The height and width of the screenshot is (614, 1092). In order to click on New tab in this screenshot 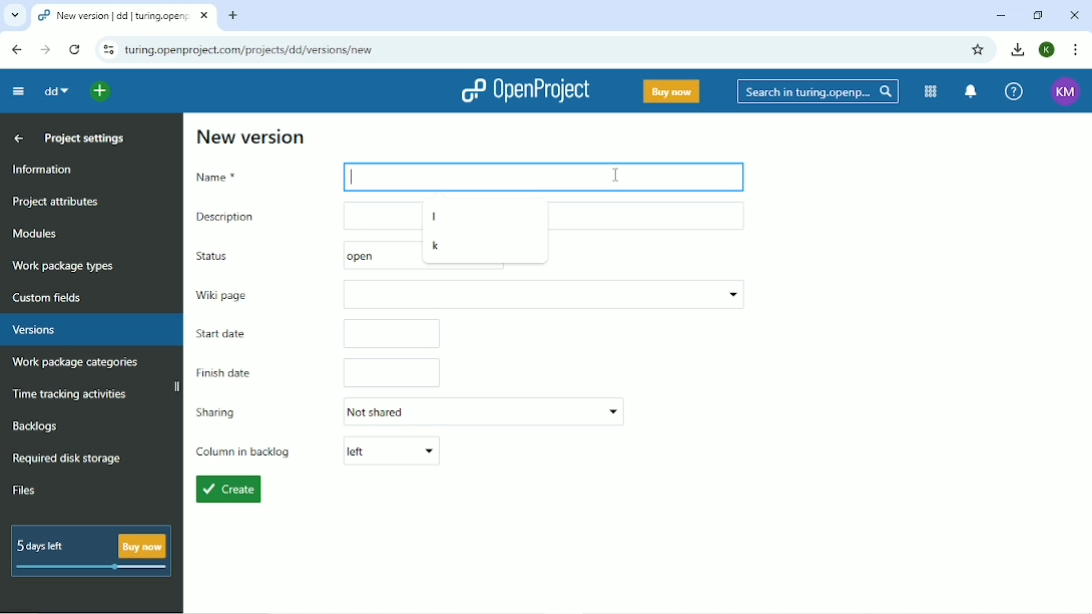, I will do `click(235, 16)`.